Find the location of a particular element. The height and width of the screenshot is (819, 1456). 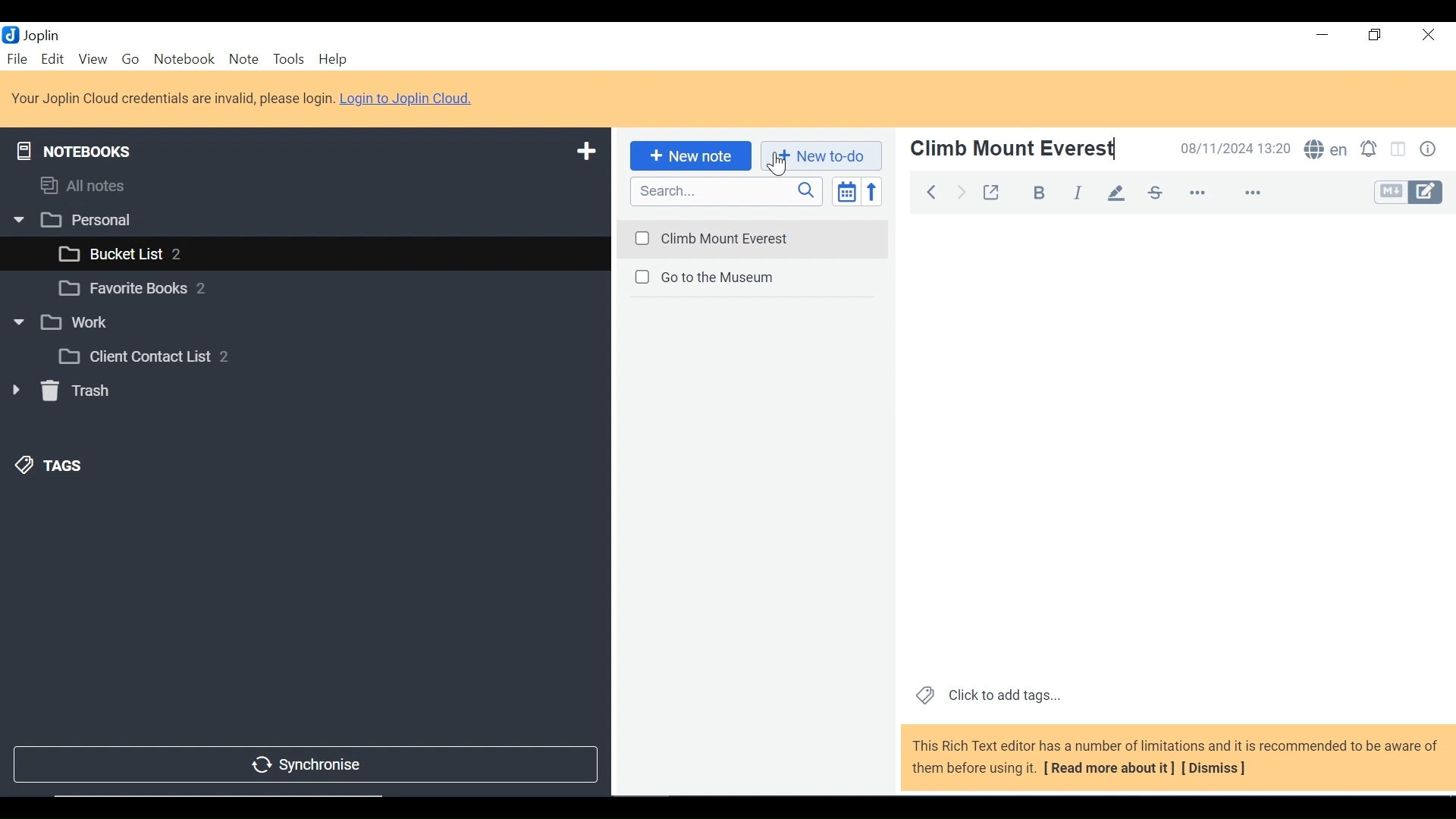

Notebooks and Tags Display is located at coordinates (303, 185).